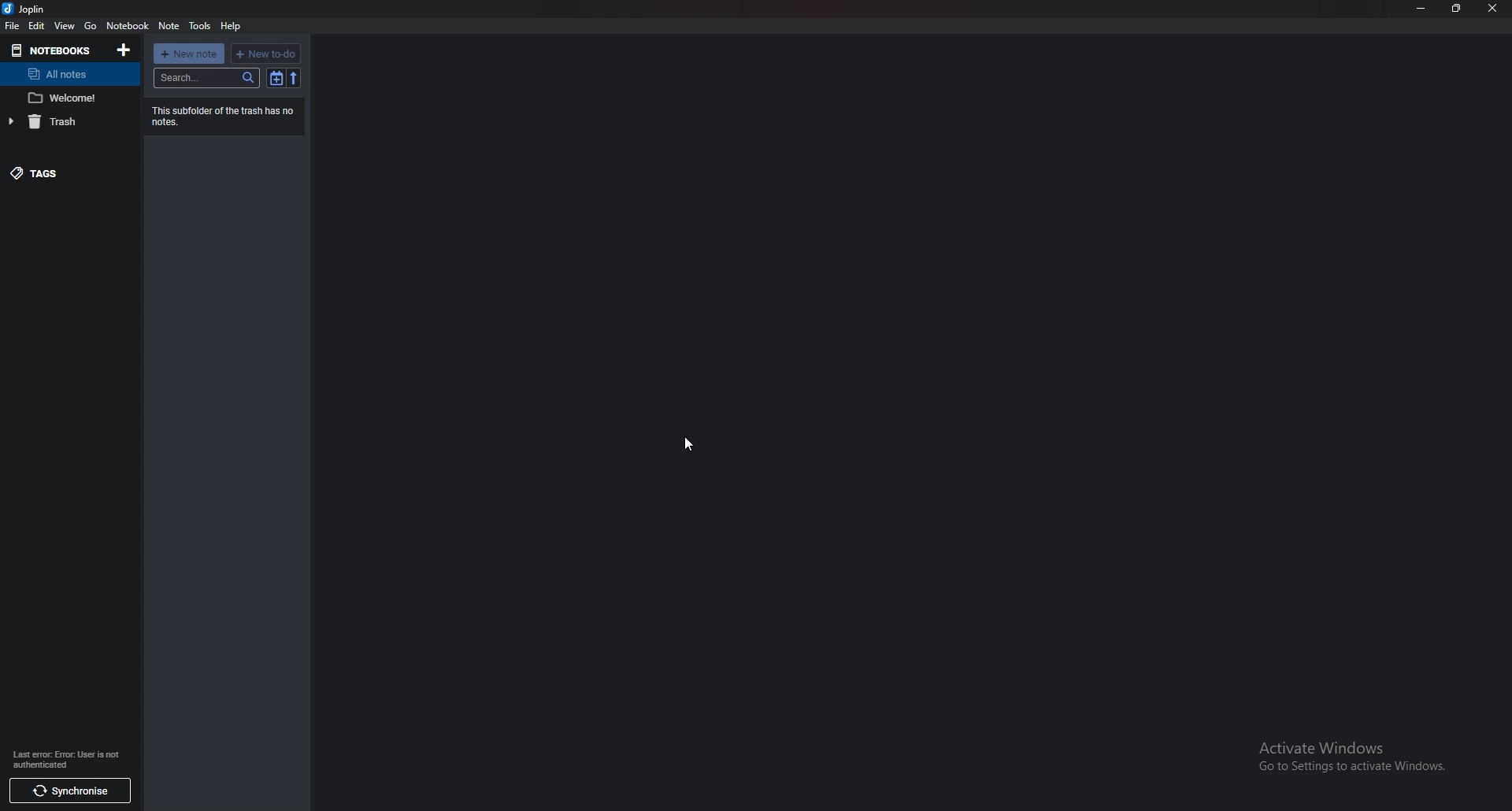  What do you see at coordinates (691, 442) in the screenshot?
I see `cursor` at bounding box center [691, 442].